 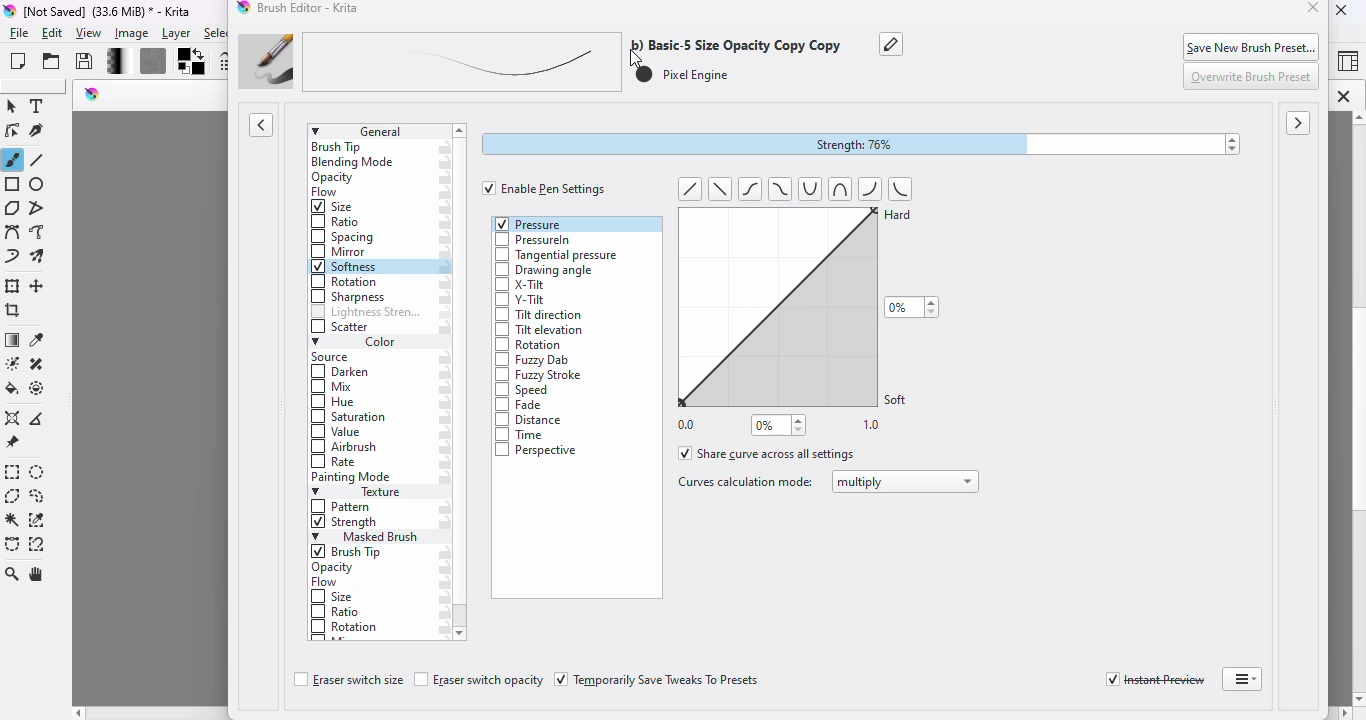 What do you see at coordinates (335, 388) in the screenshot?
I see `mix` at bounding box center [335, 388].